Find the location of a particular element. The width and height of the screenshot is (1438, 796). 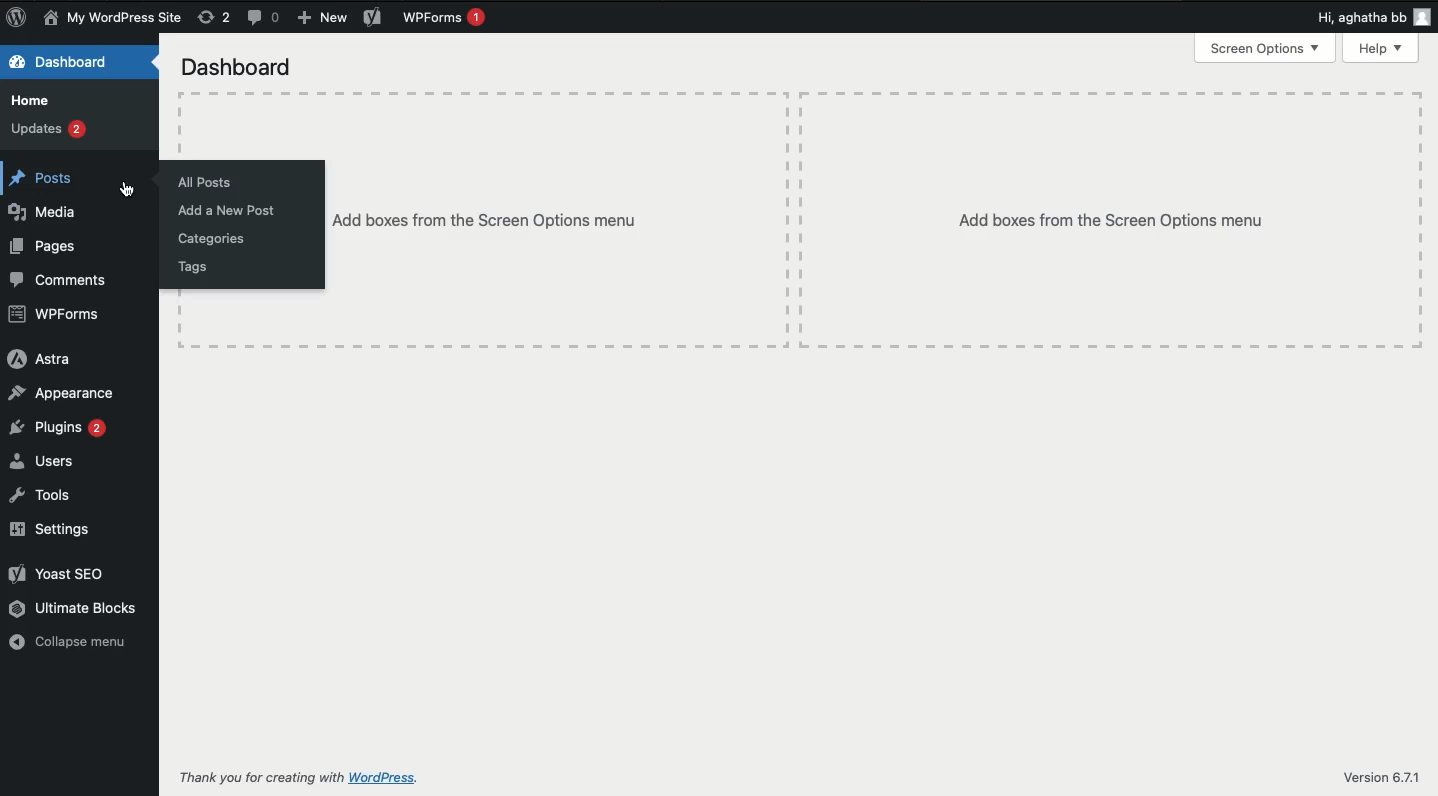

Comments is located at coordinates (59, 280).